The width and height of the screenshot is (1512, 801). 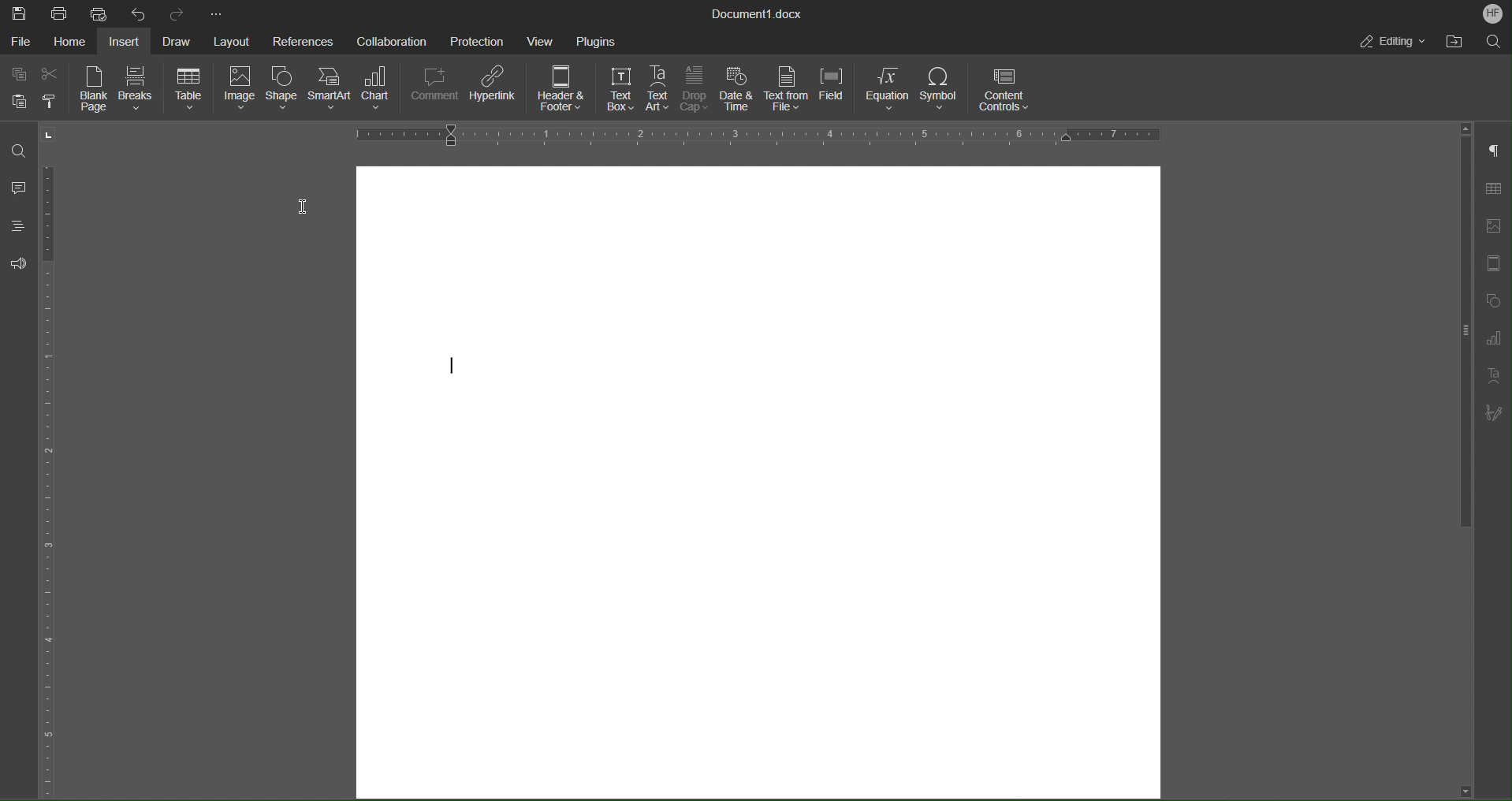 What do you see at coordinates (940, 90) in the screenshot?
I see `Symbol` at bounding box center [940, 90].